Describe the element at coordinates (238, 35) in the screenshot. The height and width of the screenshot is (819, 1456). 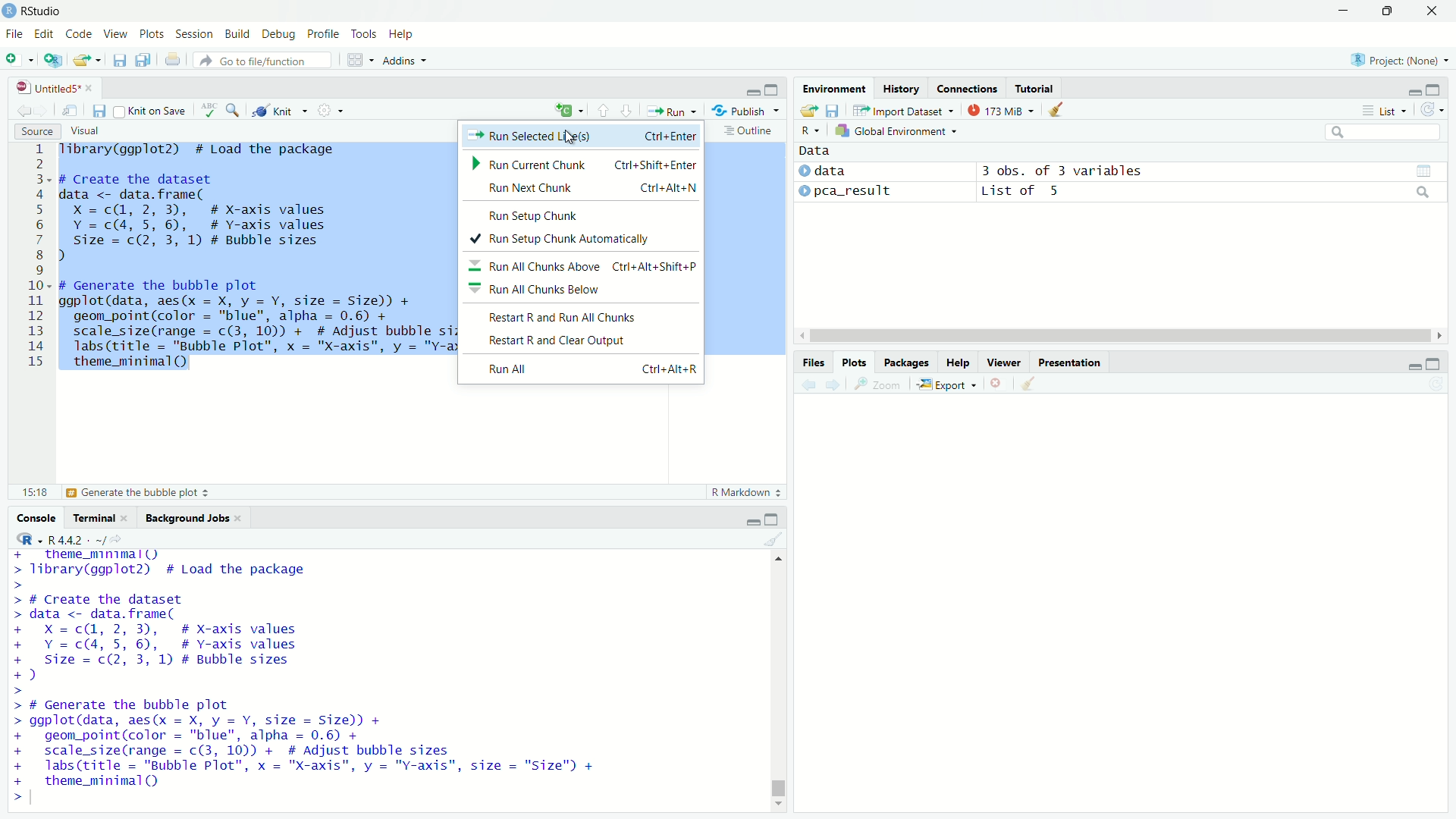
I see `build` at that location.